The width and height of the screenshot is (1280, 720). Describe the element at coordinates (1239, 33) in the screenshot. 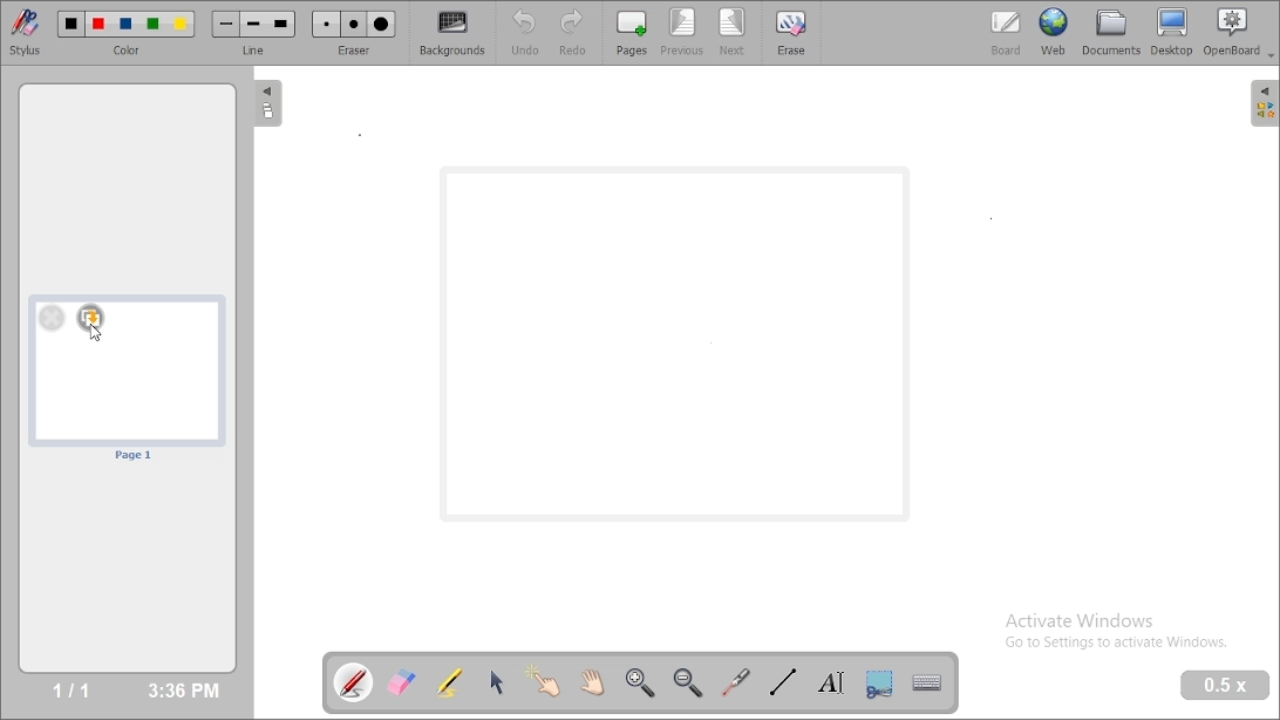

I see `openboard` at that location.